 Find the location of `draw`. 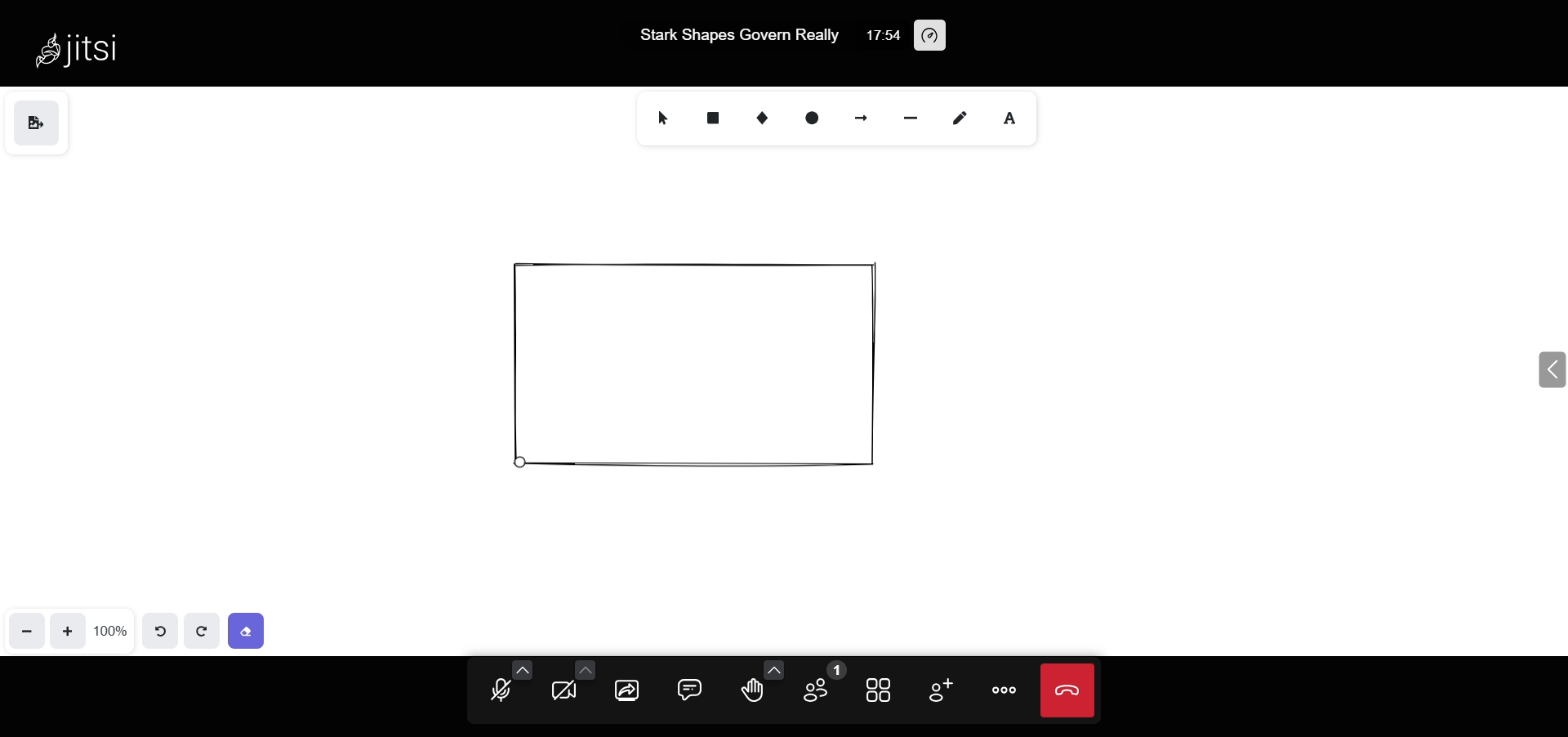

draw is located at coordinates (961, 118).